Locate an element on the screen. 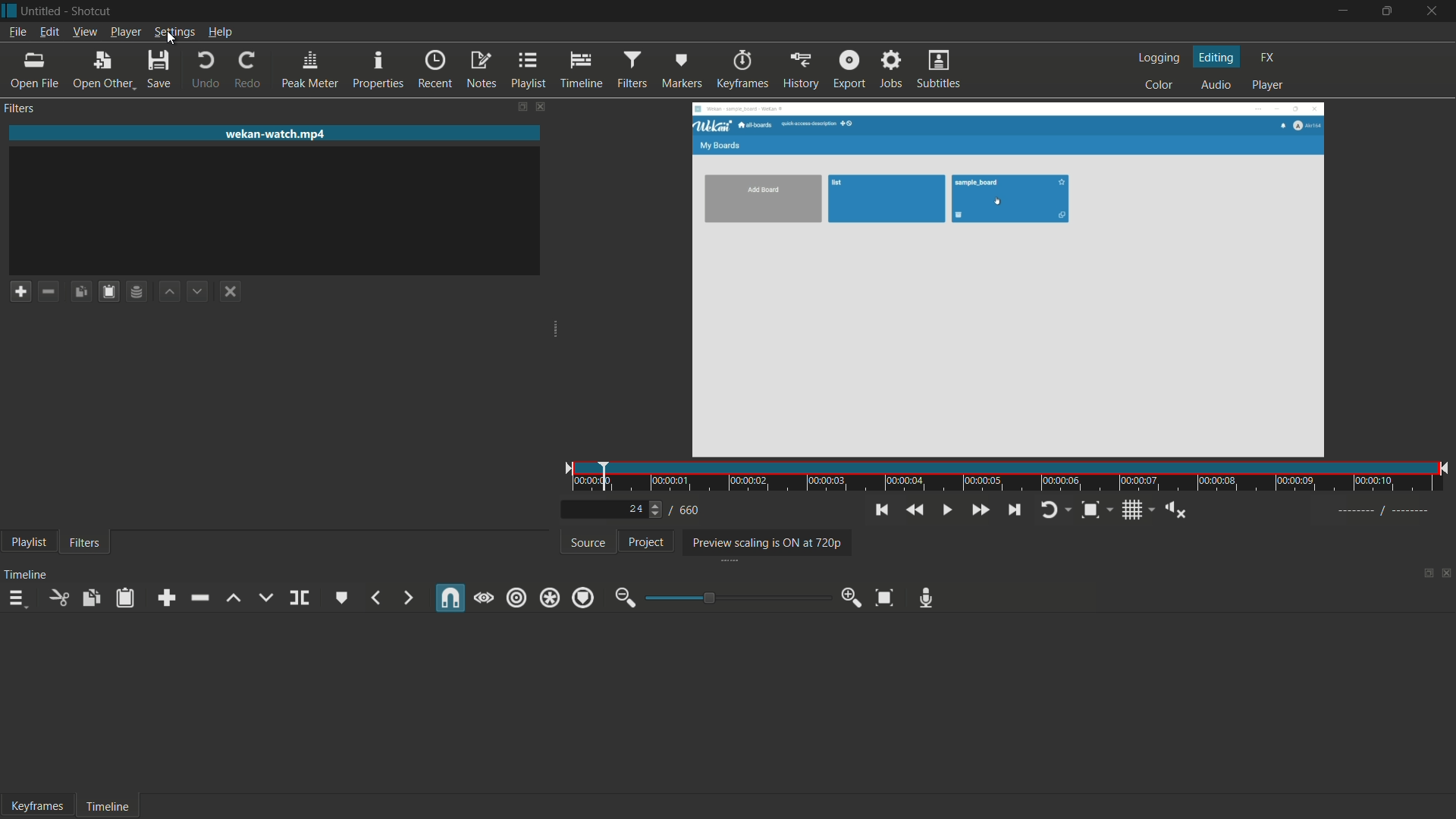 This screenshot has height=819, width=1456. total frames is located at coordinates (689, 510).